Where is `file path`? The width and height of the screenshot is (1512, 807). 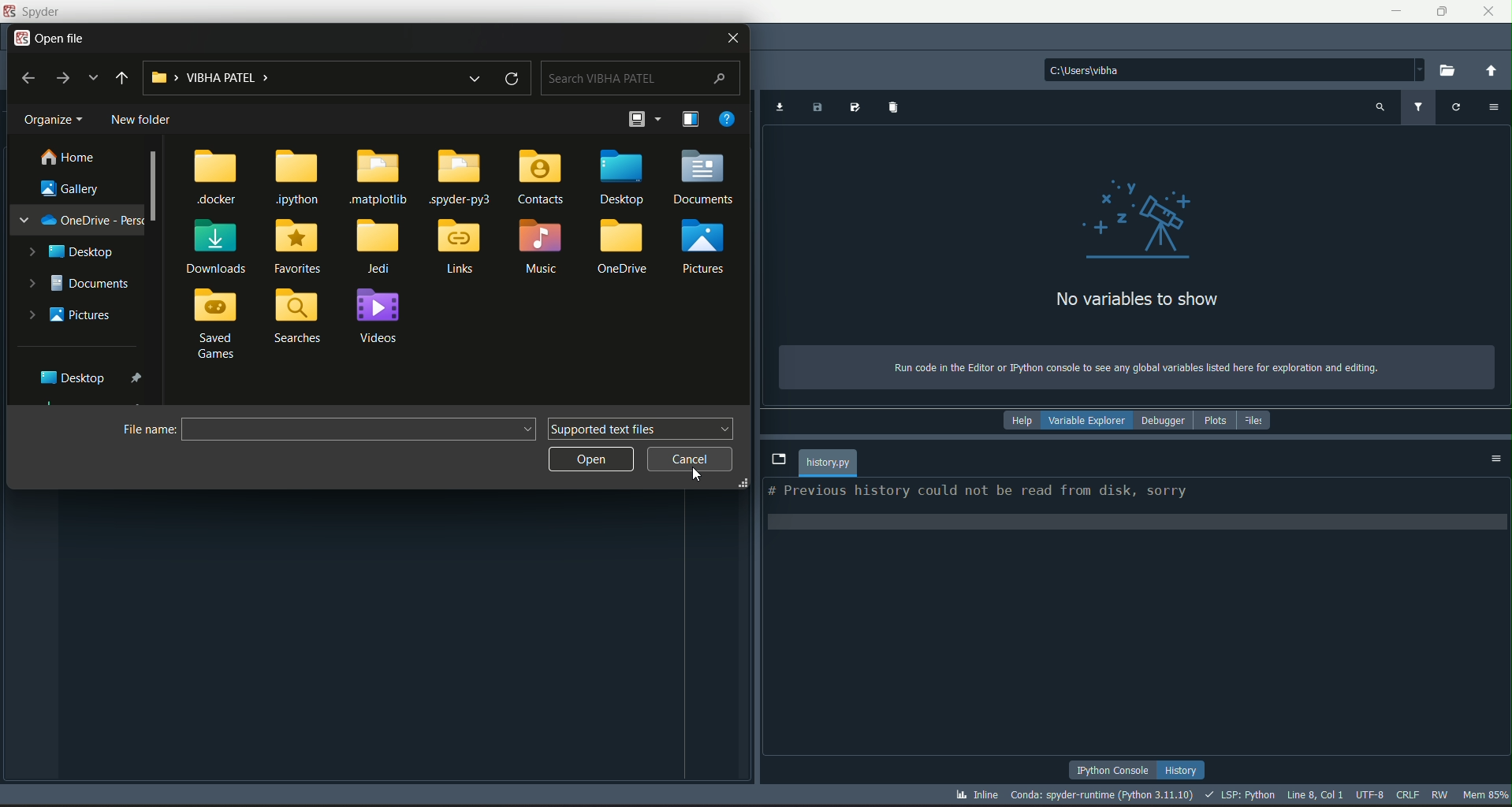
file path is located at coordinates (292, 77).